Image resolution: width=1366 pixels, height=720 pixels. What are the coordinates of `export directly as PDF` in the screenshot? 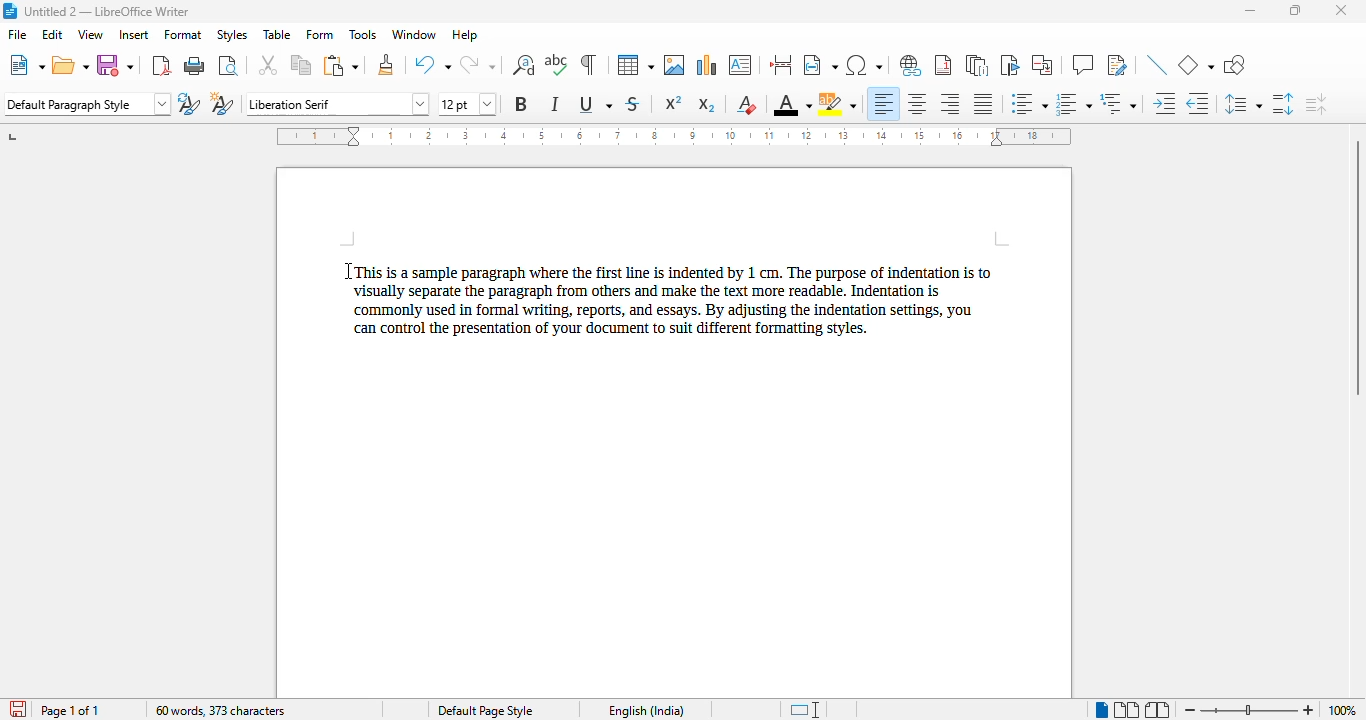 It's located at (162, 65).